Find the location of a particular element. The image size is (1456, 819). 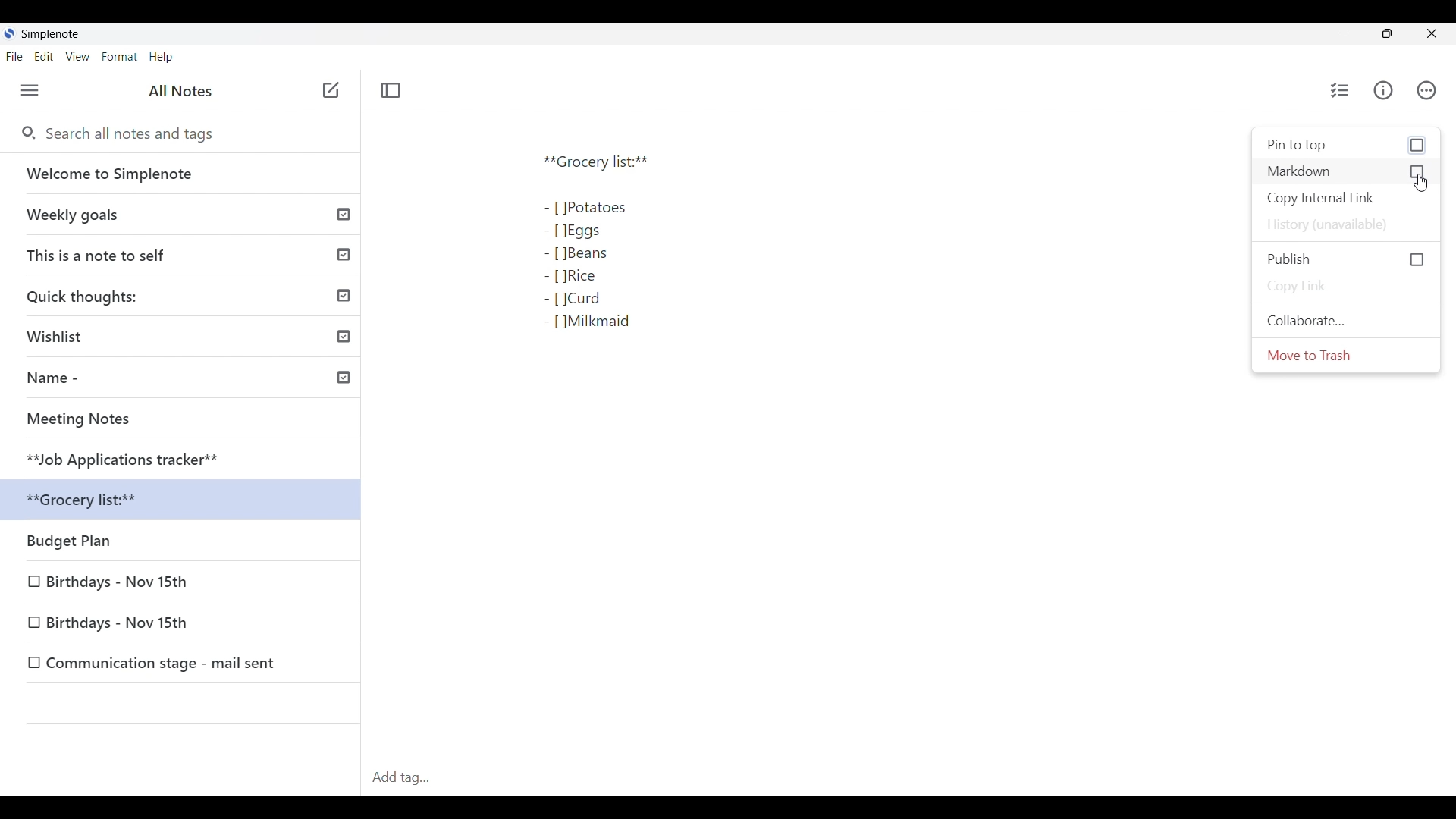

Communication stage - mail sent is located at coordinates (183, 663).